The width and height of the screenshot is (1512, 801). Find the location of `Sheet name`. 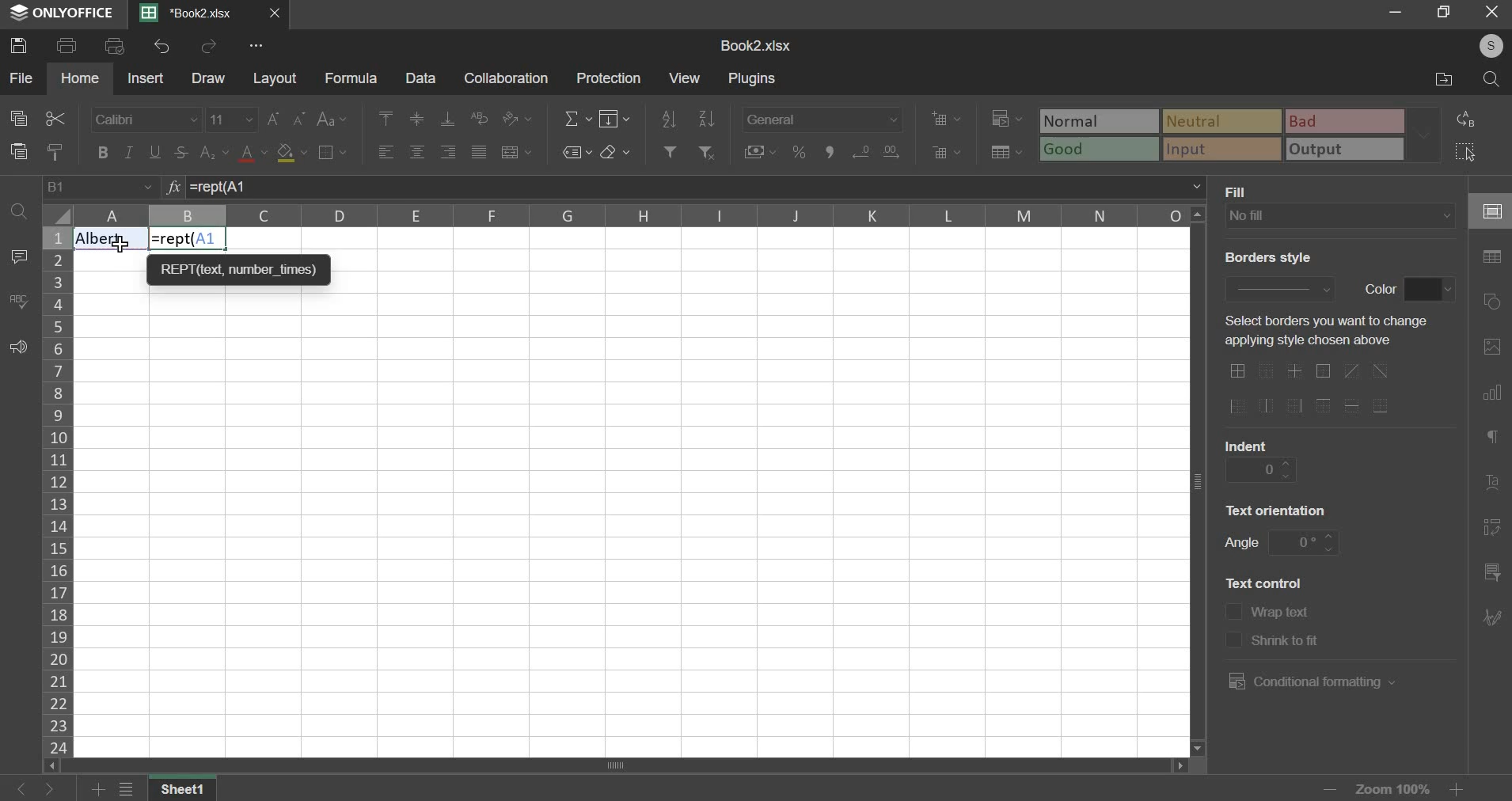

Sheet name is located at coordinates (184, 788).